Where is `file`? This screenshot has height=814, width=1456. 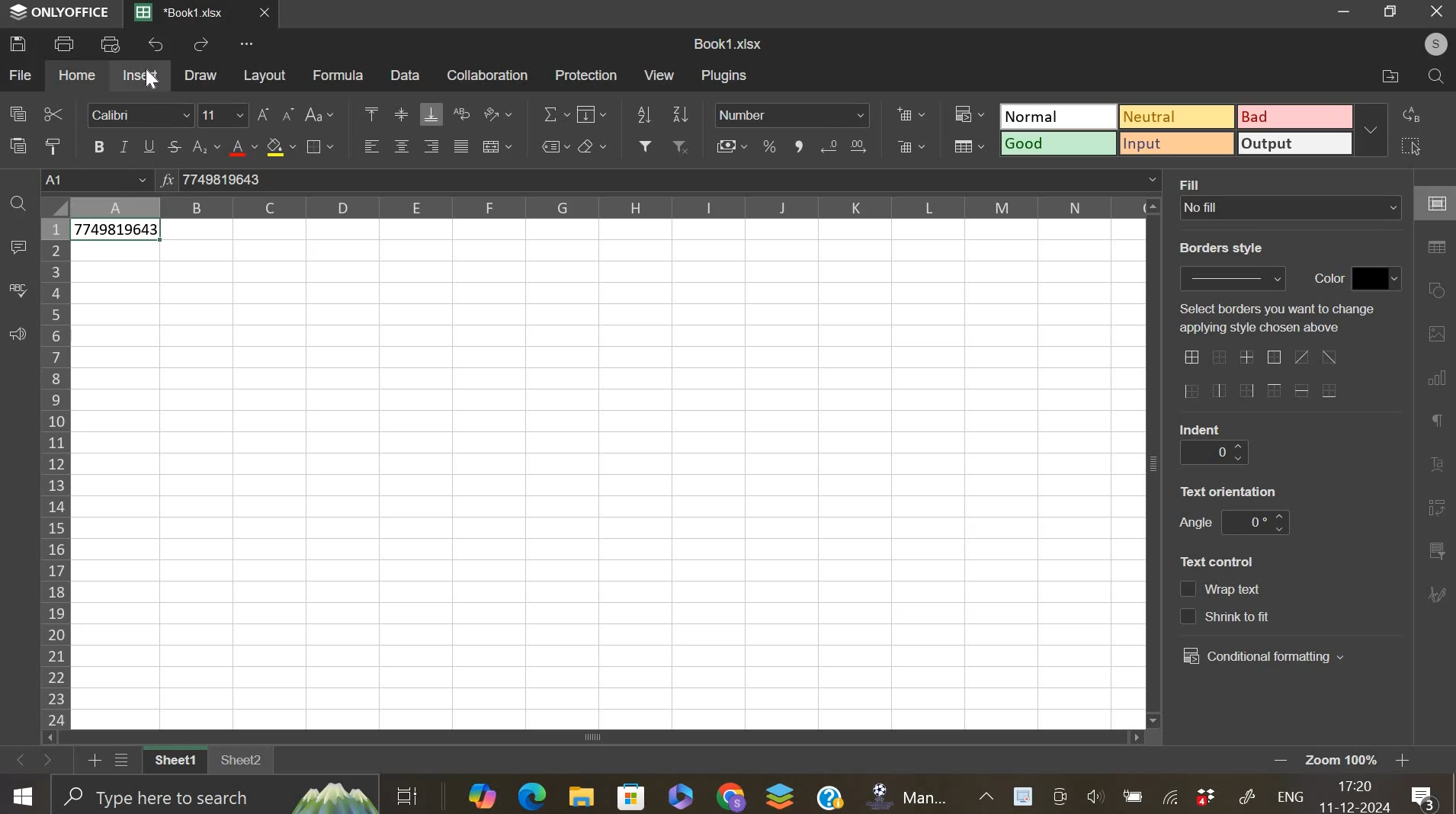 file is located at coordinates (21, 75).